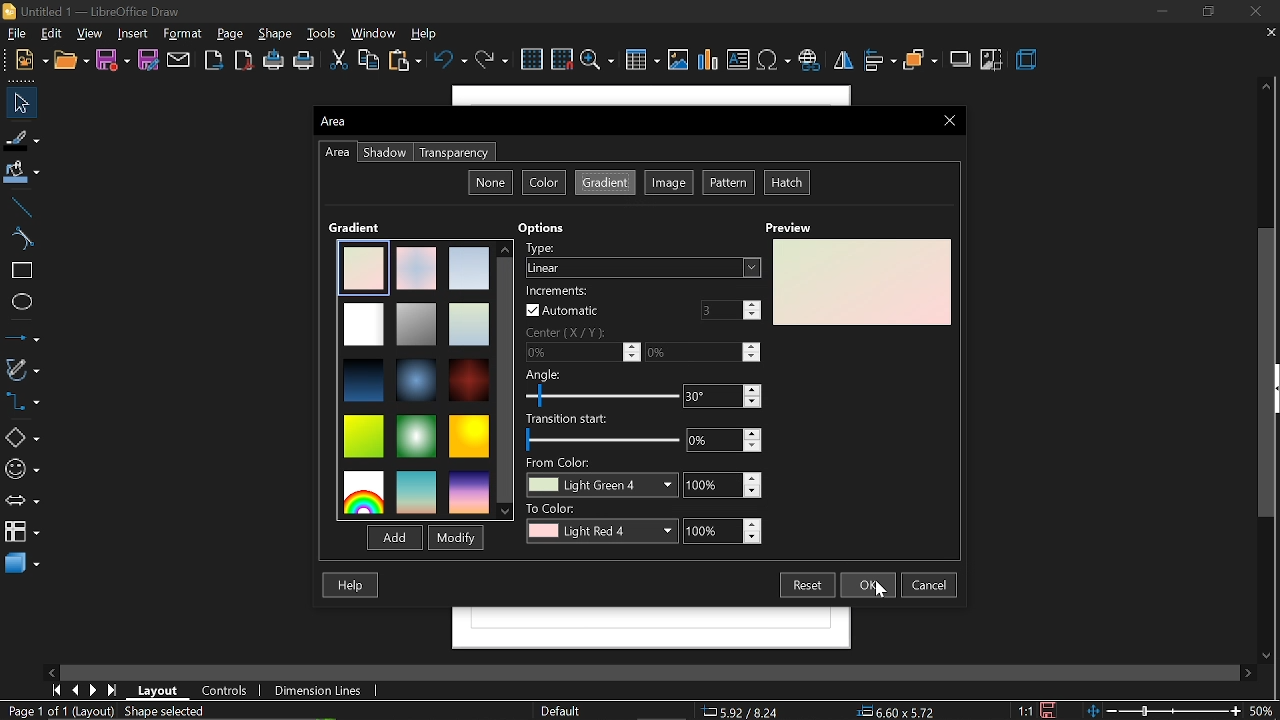  Describe the element at coordinates (602, 523) in the screenshot. I see `to color` at that location.